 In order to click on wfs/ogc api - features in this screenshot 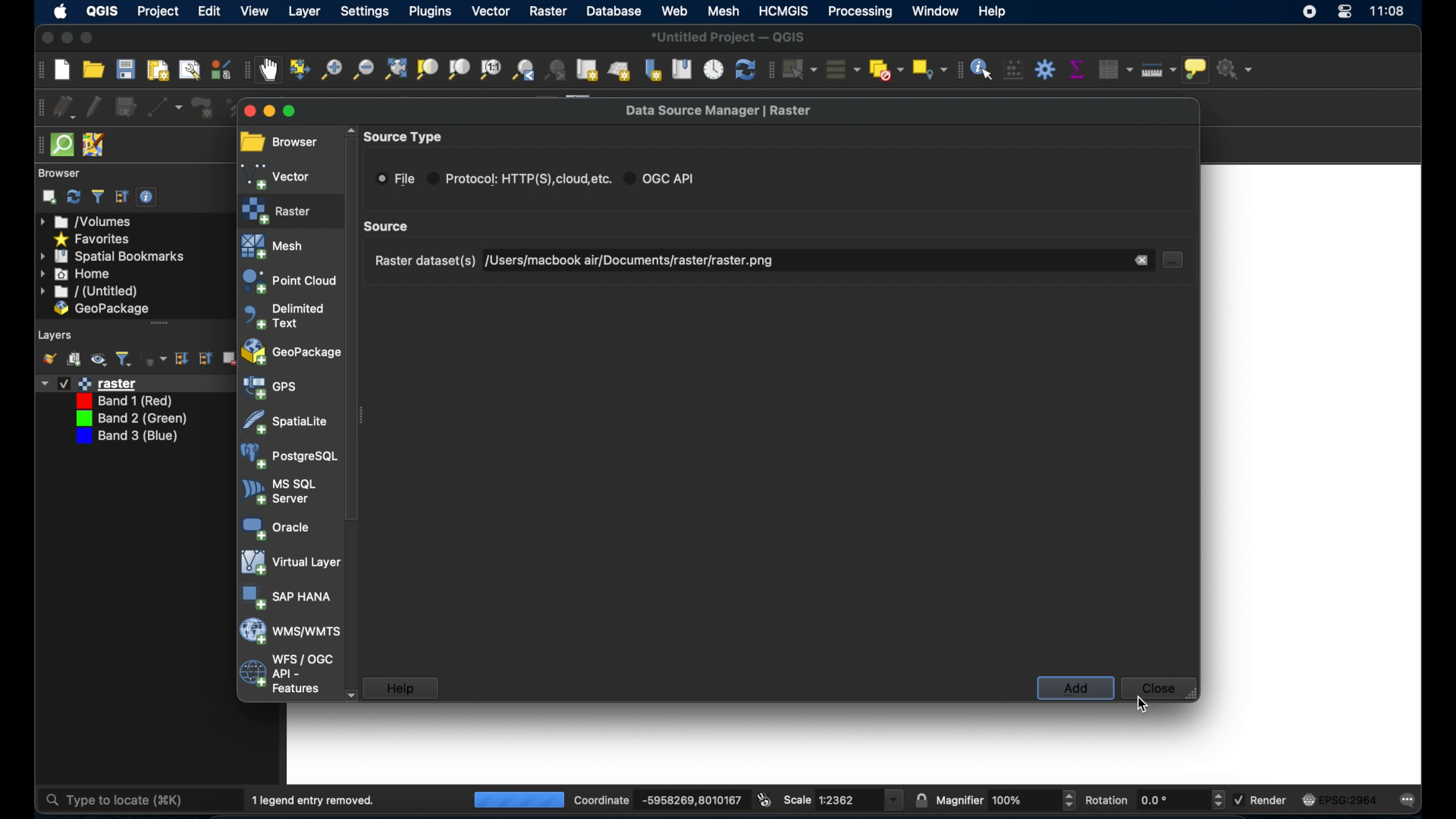, I will do `click(286, 675)`.